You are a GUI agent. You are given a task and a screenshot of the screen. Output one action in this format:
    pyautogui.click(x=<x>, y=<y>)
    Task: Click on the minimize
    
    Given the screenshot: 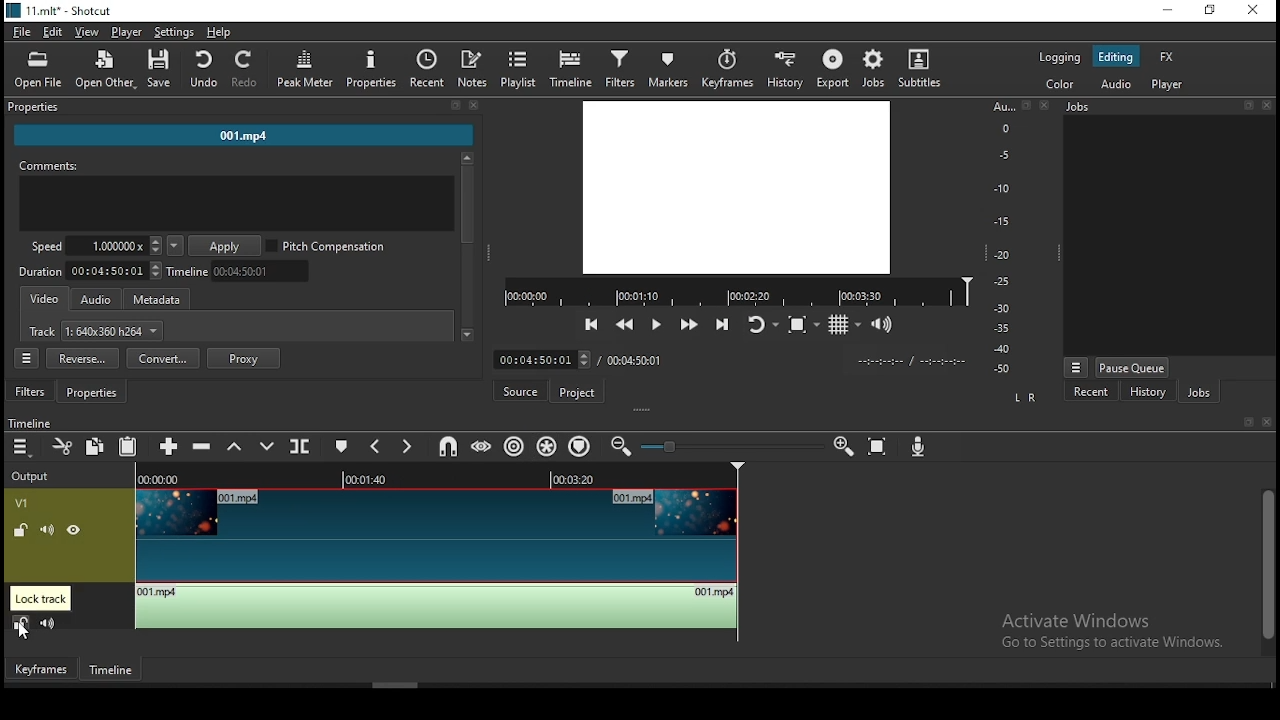 What is the action you would take?
    pyautogui.click(x=1166, y=11)
    